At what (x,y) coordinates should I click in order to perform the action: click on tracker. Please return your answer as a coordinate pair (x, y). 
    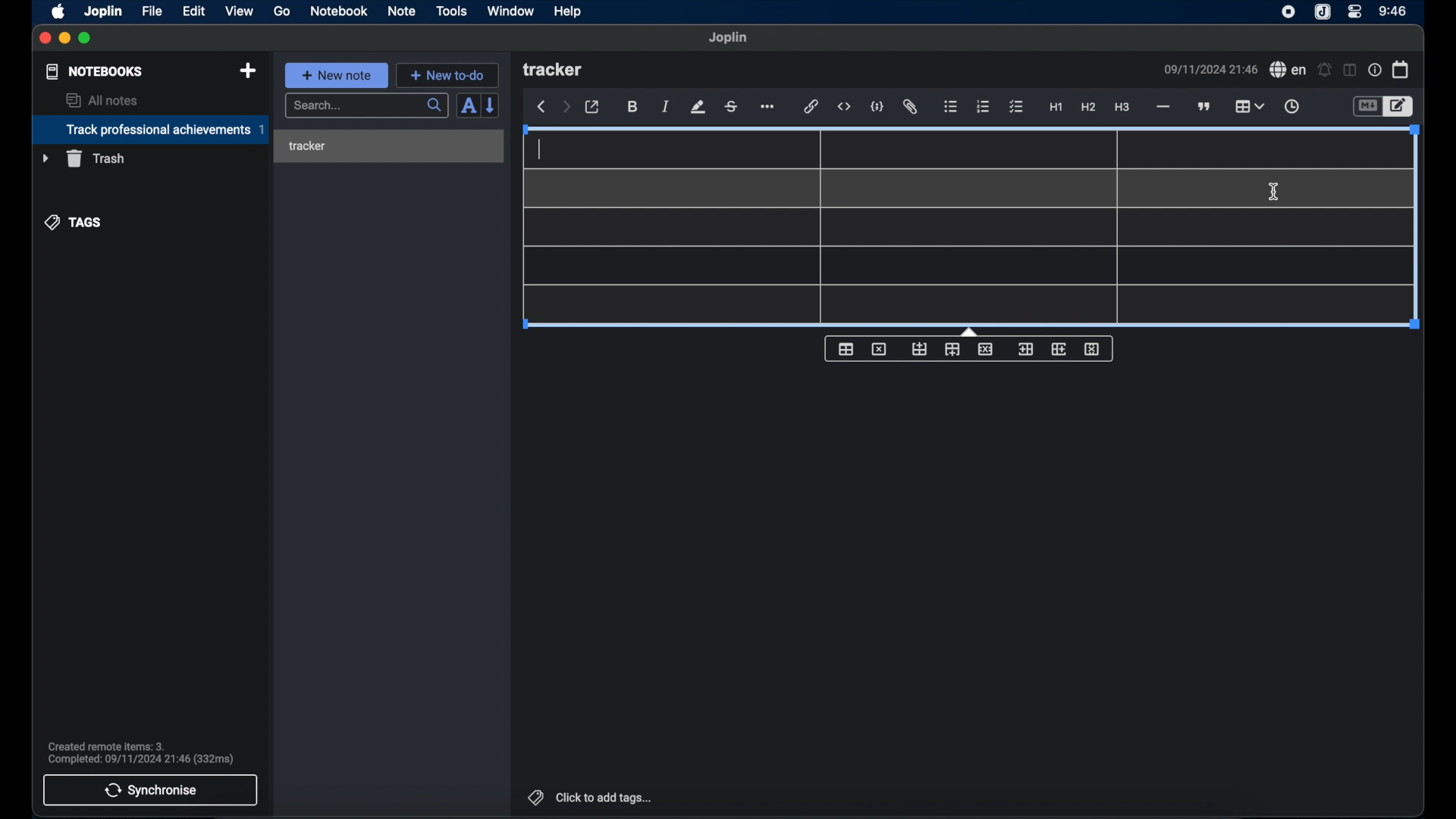
    Looking at the image, I should click on (554, 71).